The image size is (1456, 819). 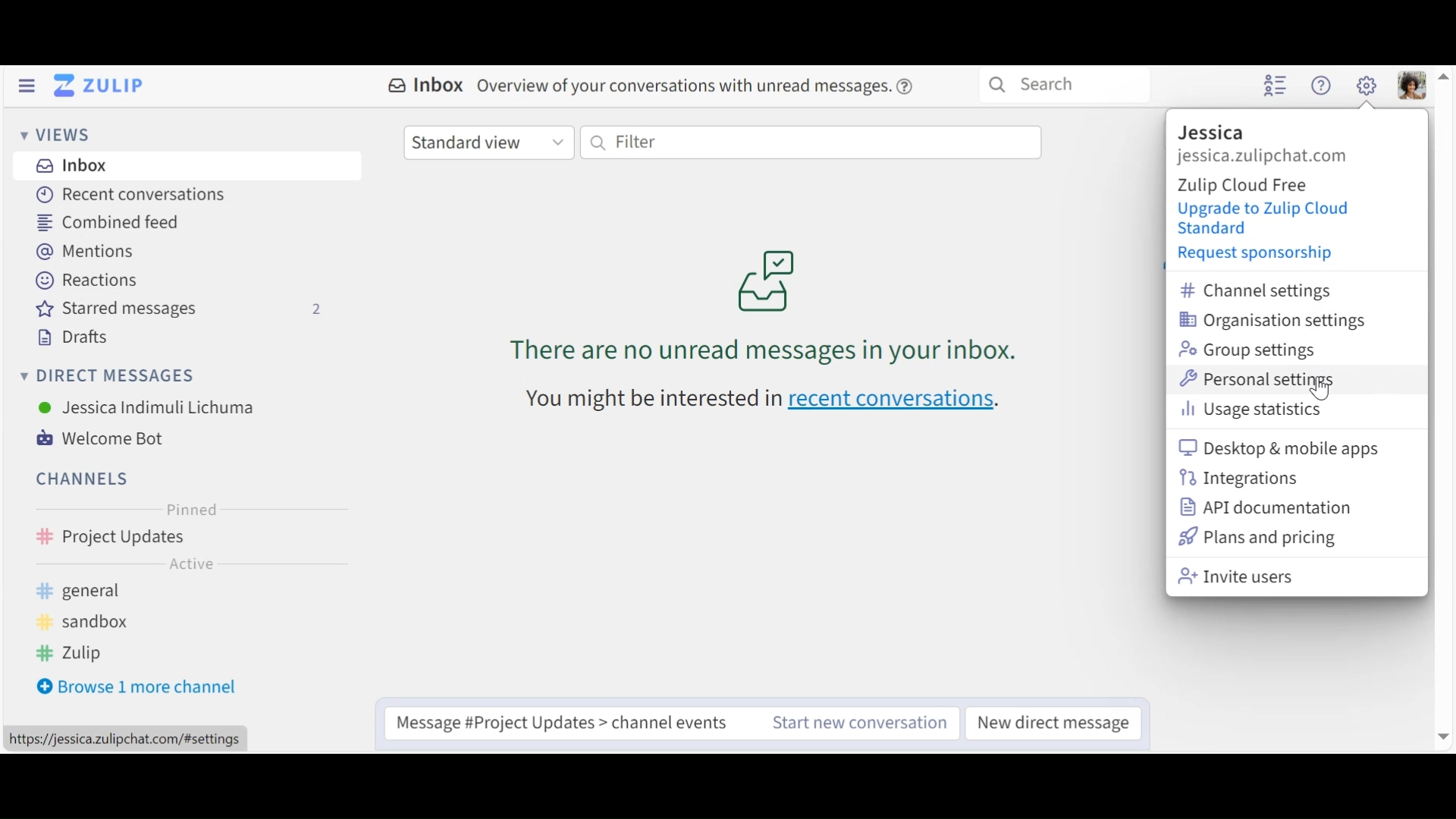 I want to click on Inbox , so click(x=658, y=88).